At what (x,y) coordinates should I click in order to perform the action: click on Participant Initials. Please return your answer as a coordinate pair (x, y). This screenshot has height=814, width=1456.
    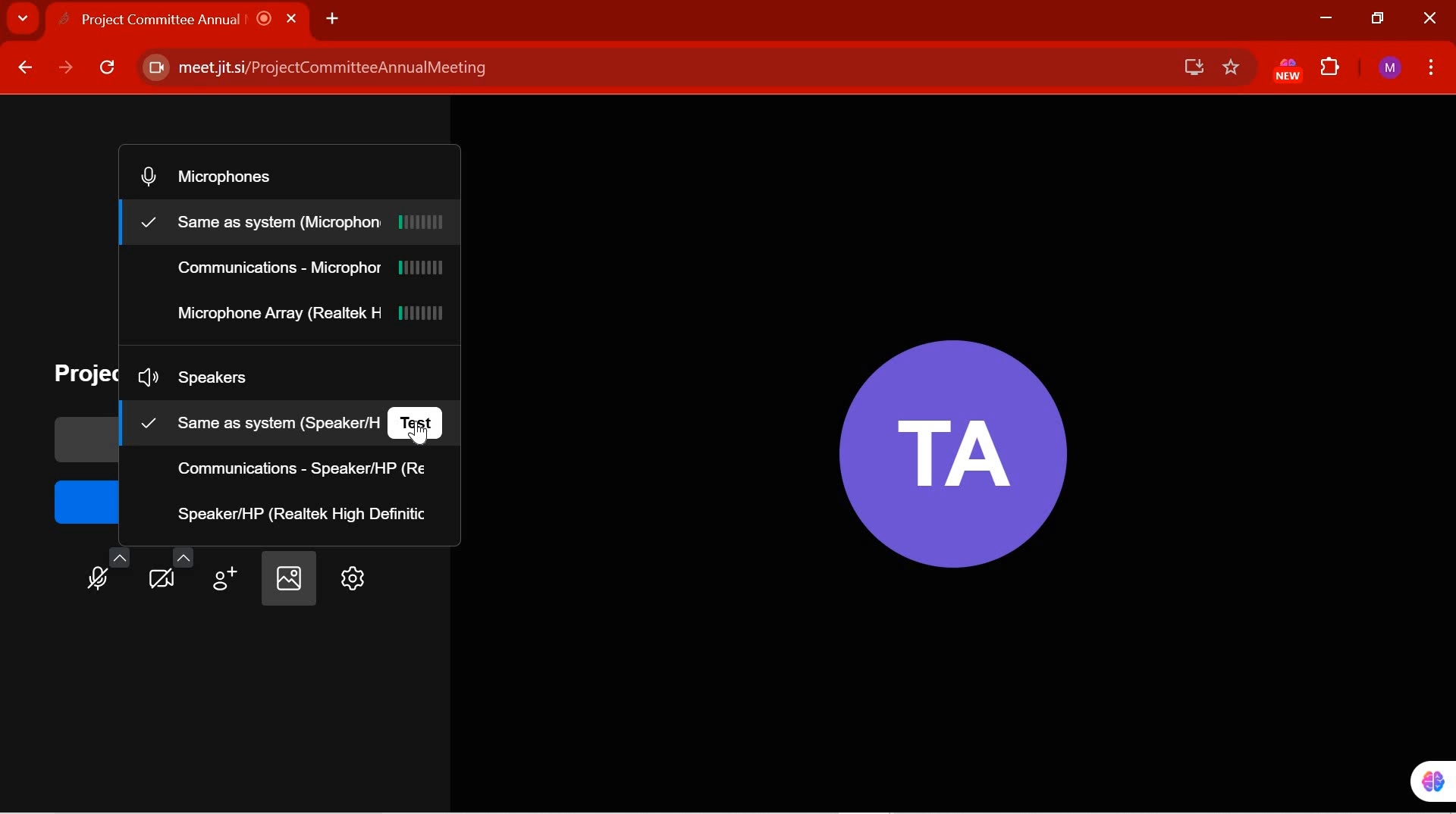
    Looking at the image, I should click on (945, 443).